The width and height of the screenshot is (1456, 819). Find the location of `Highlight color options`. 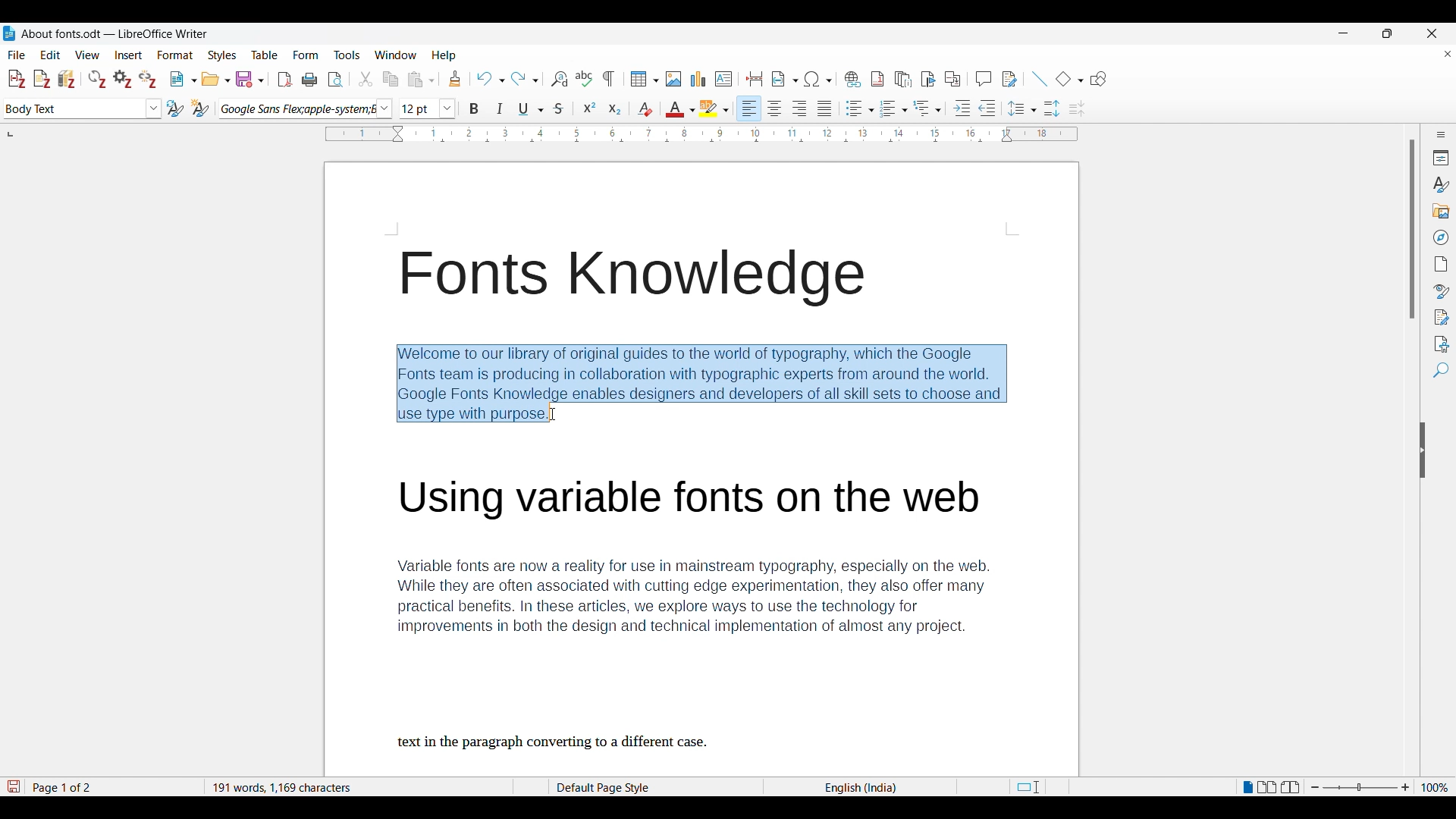

Highlight color options is located at coordinates (714, 108).